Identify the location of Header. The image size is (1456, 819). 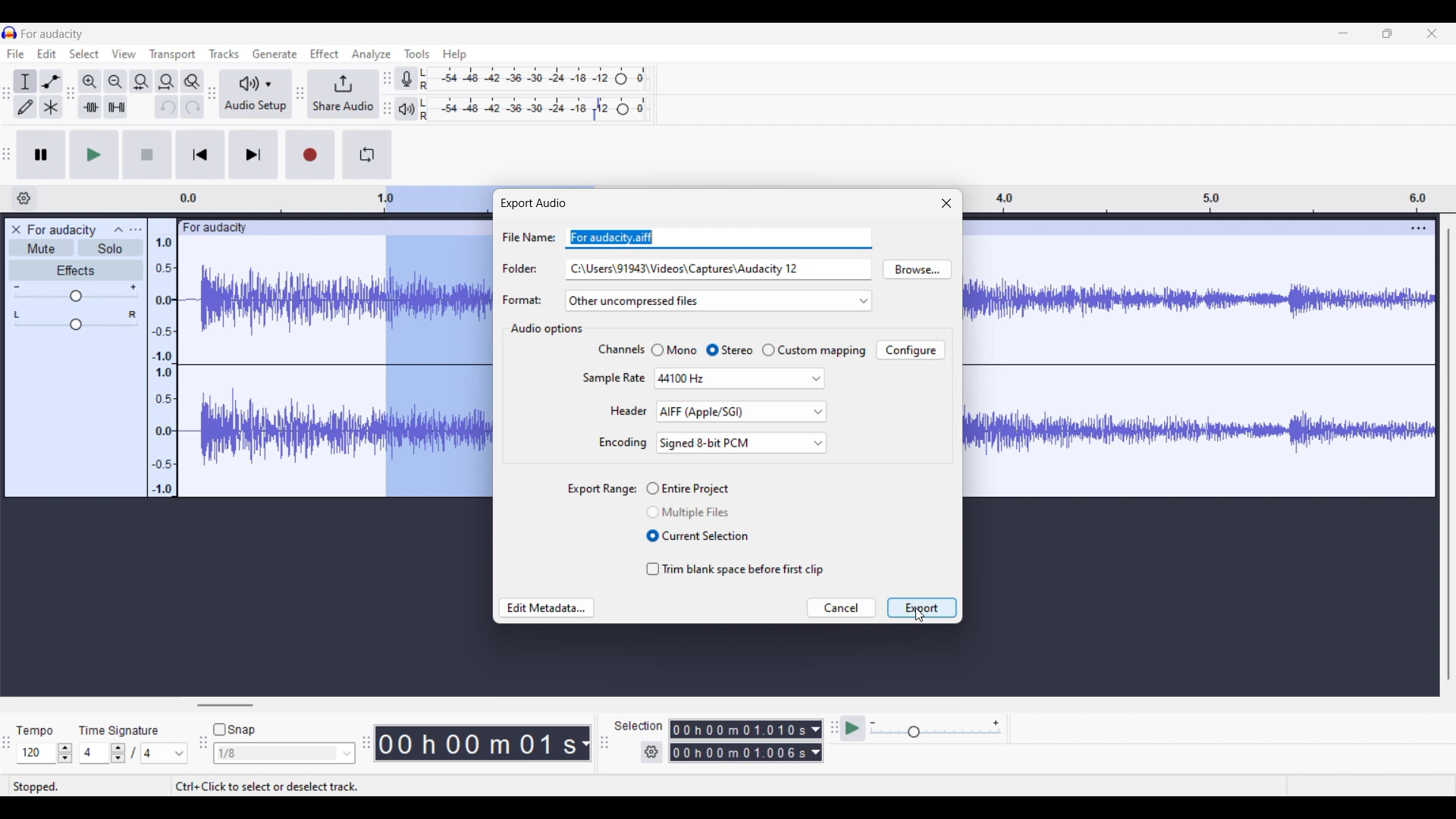
(624, 410).